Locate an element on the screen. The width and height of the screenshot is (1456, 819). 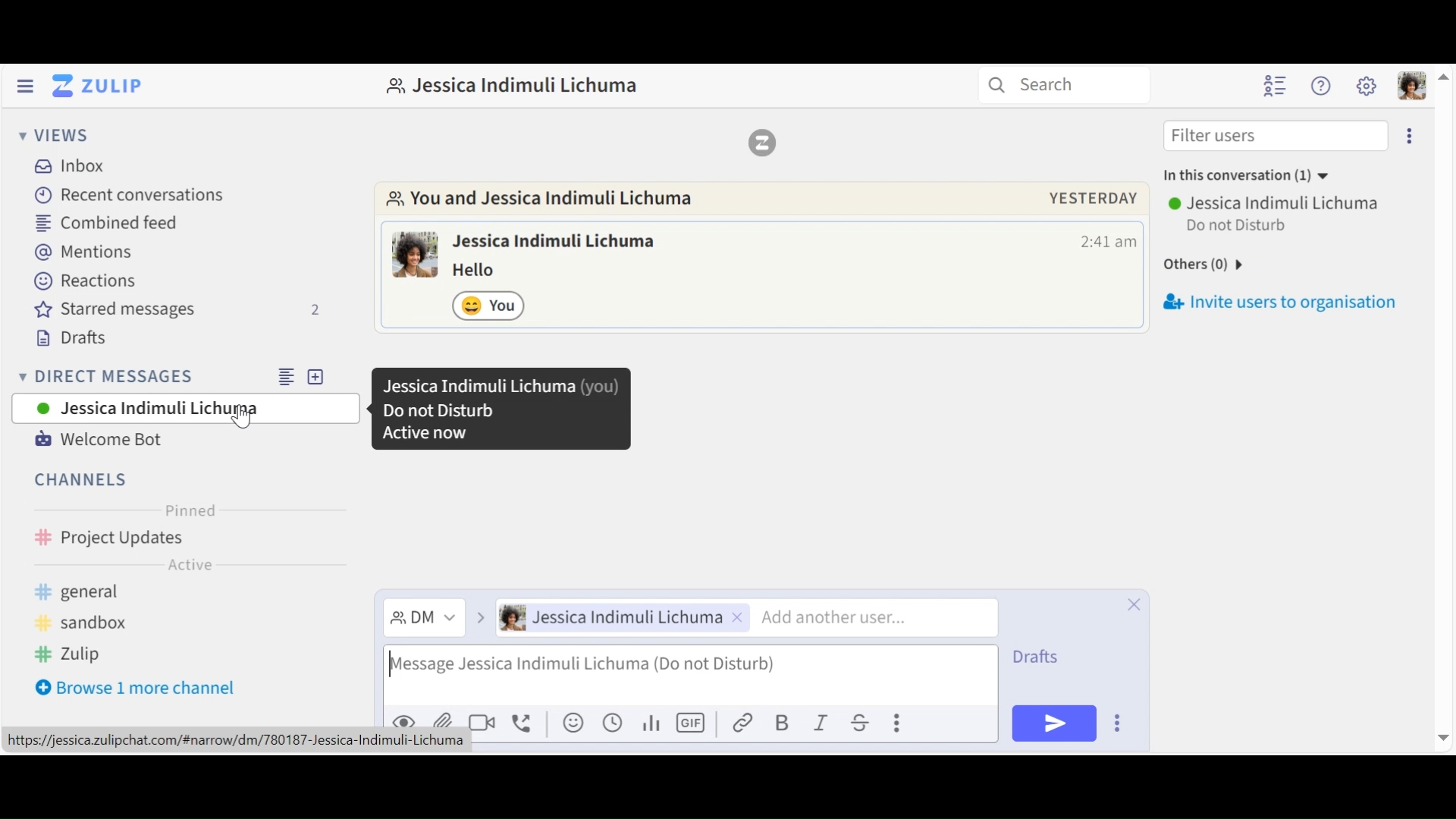
Reactions is located at coordinates (80, 282).